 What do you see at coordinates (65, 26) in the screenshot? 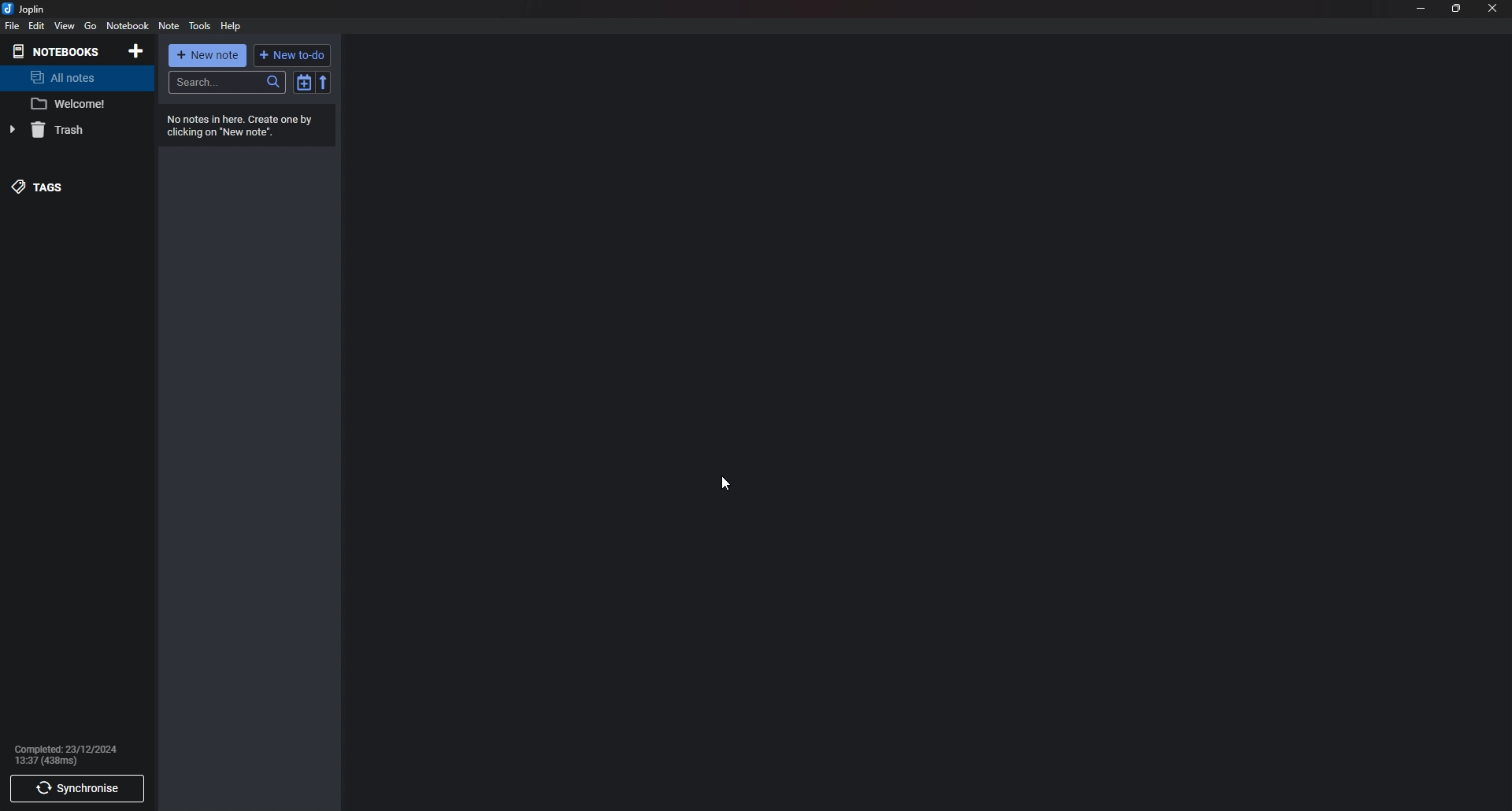
I see `View` at bounding box center [65, 26].